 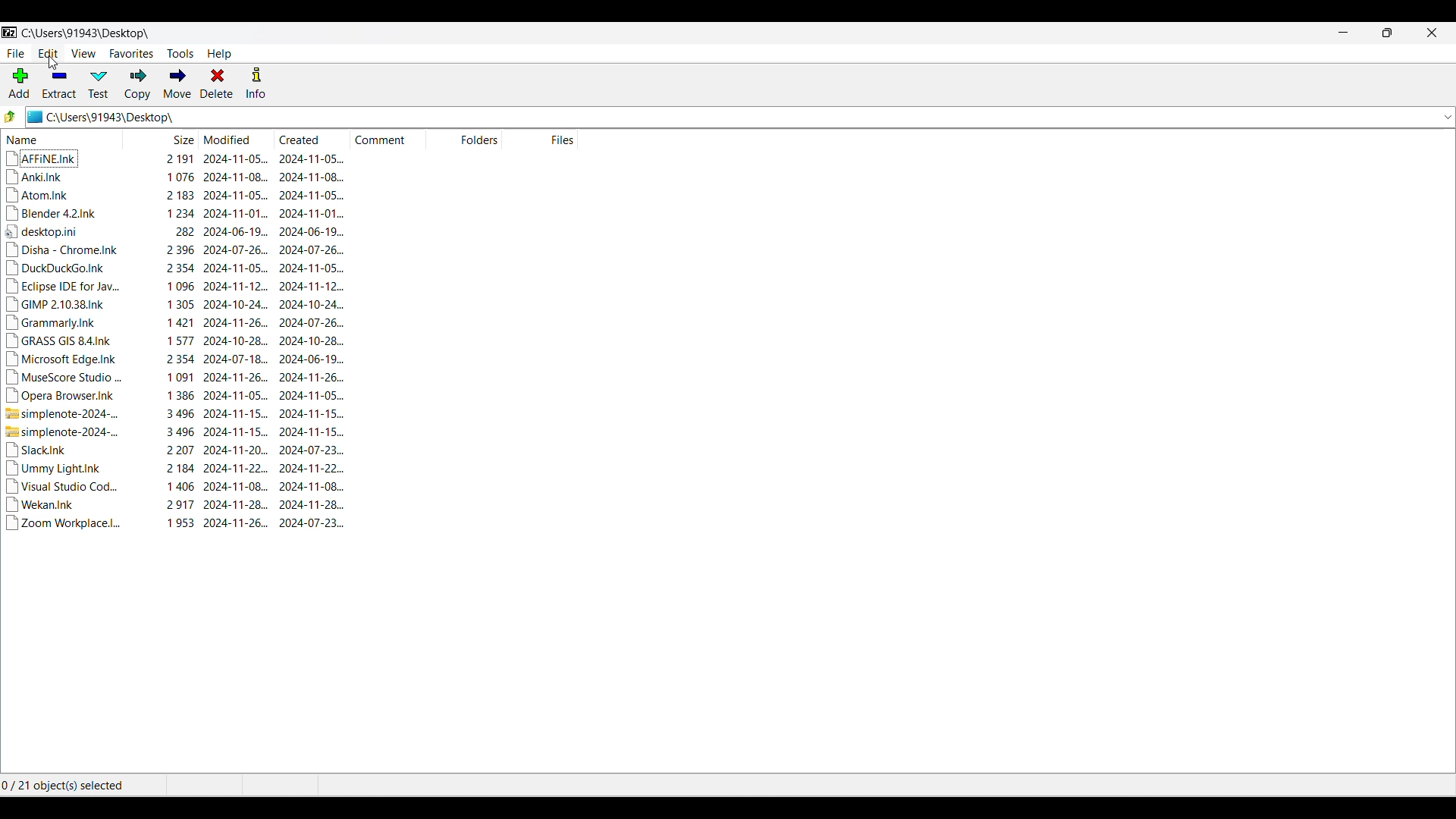 What do you see at coordinates (60, 84) in the screenshot?
I see `Extract` at bounding box center [60, 84].